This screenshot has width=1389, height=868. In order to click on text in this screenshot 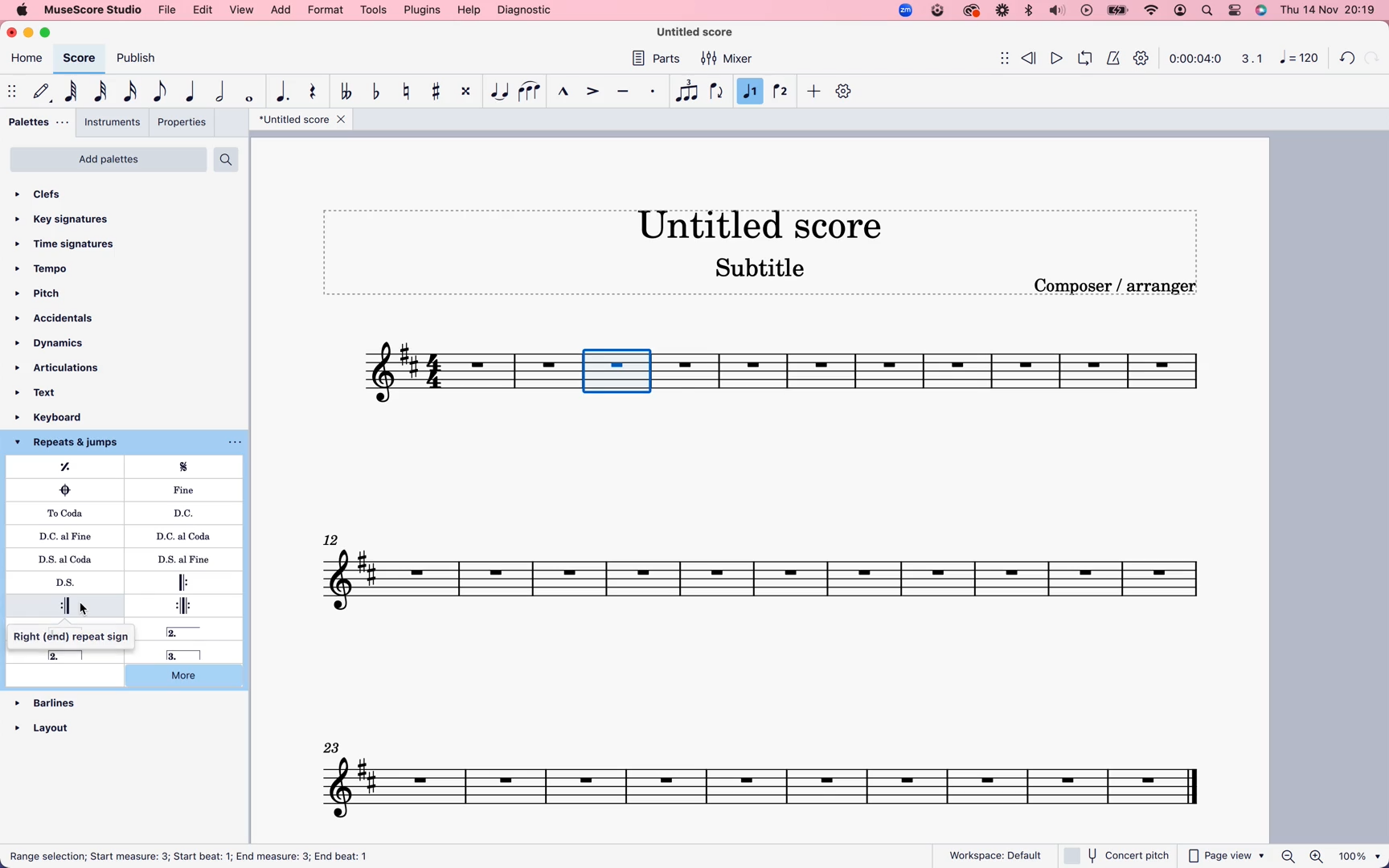, I will do `click(51, 391)`.